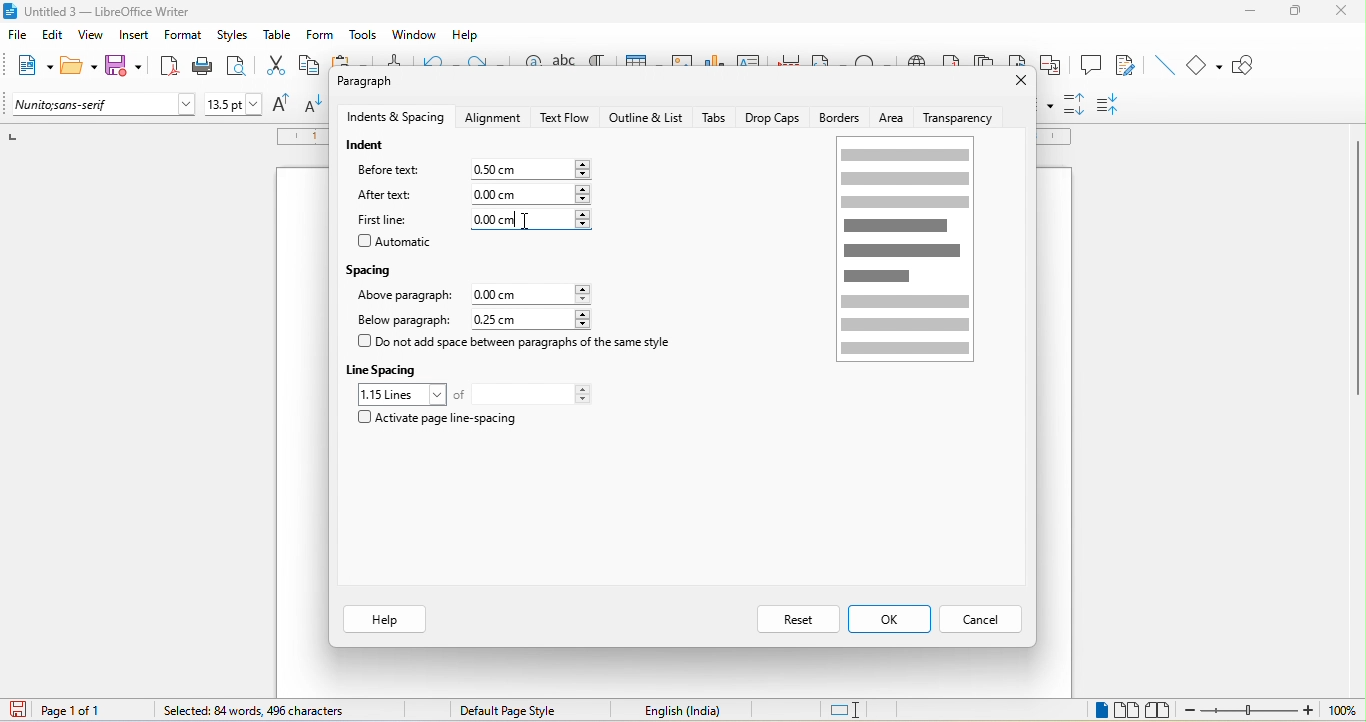 This screenshot has width=1366, height=722. What do you see at coordinates (364, 417) in the screenshot?
I see `checkbox` at bounding box center [364, 417].